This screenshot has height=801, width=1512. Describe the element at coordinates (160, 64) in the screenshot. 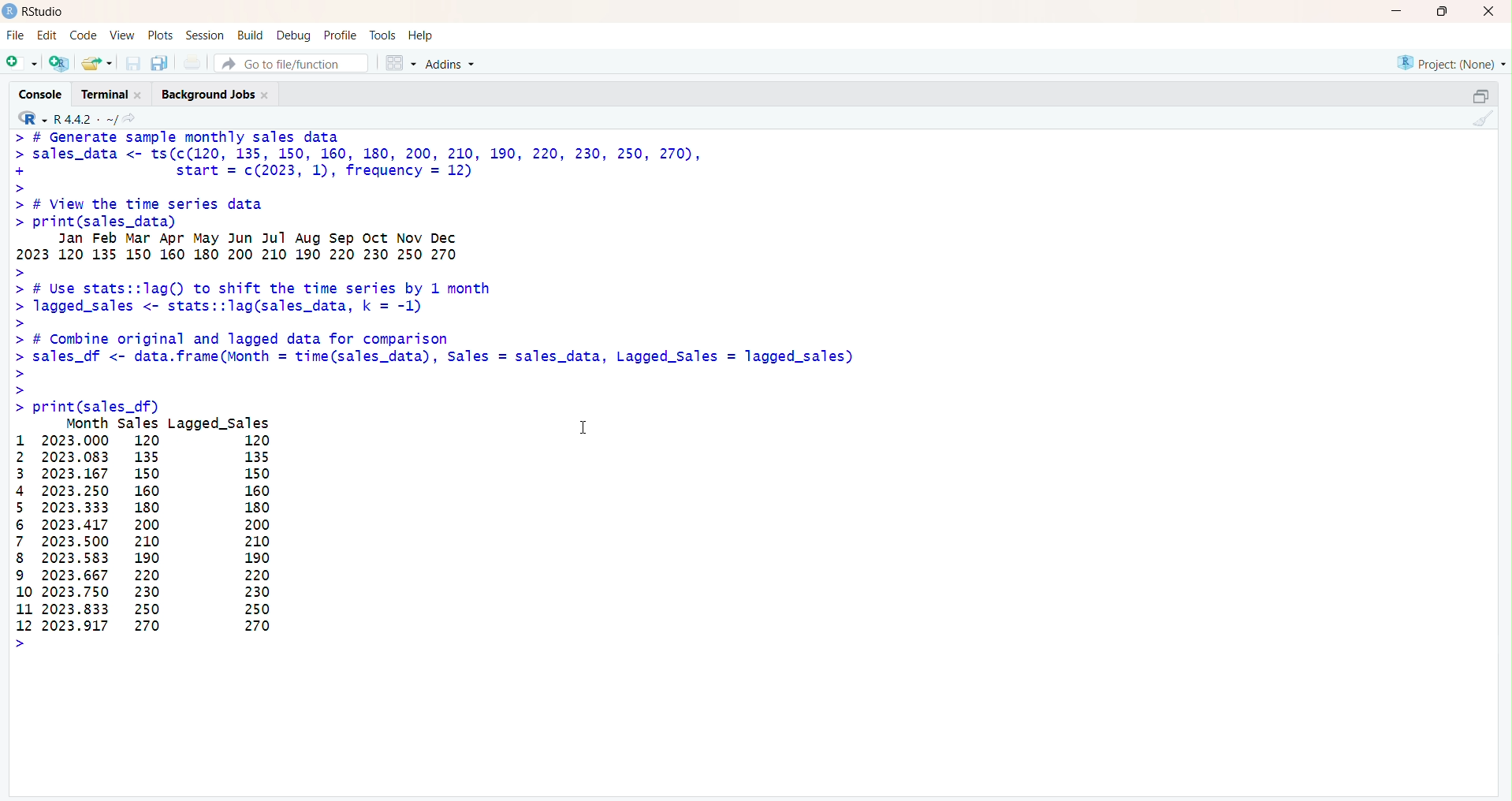

I see `save all open document` at that location.